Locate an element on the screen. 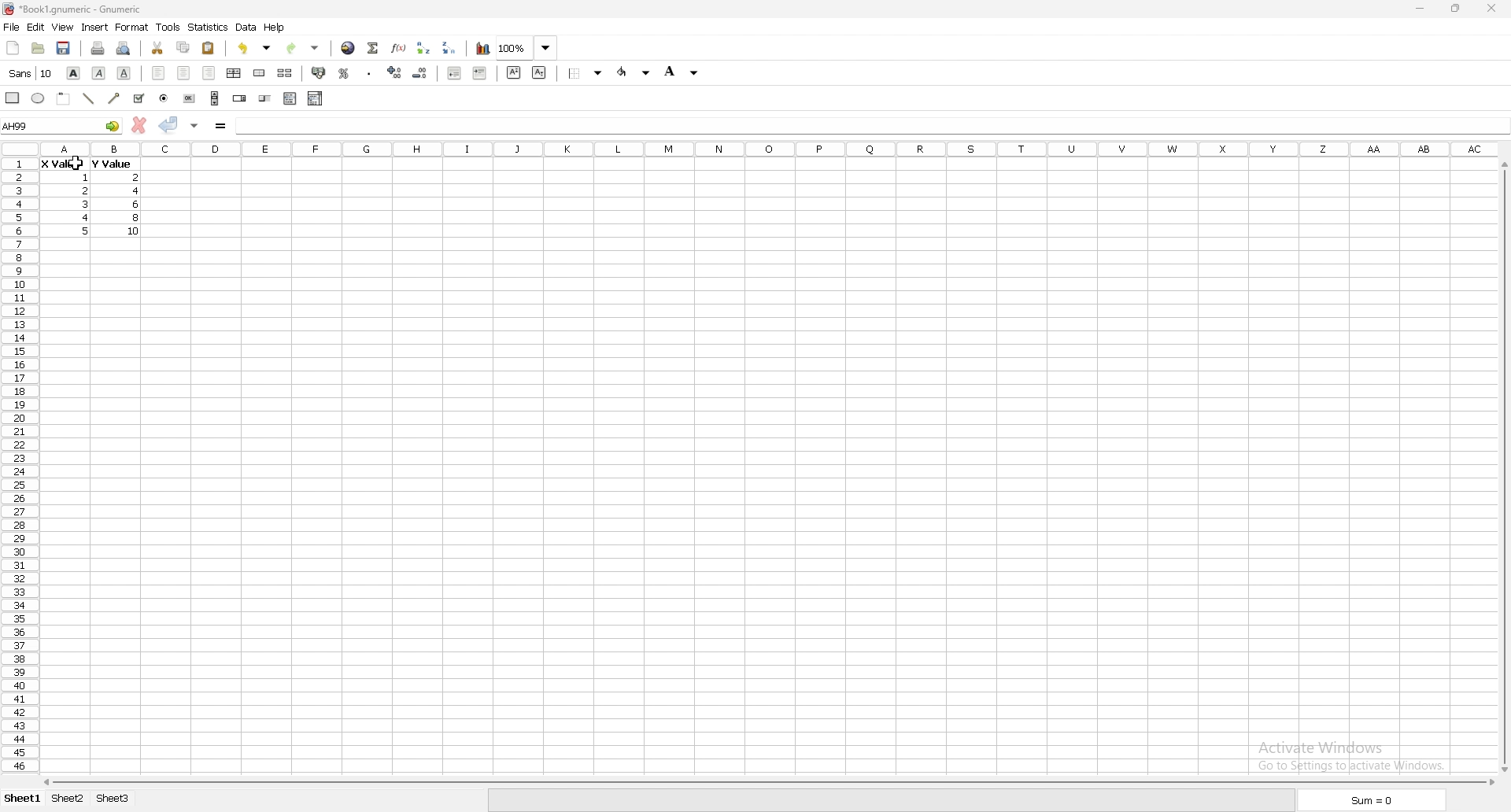 This screenshot has height=812, width=1511. left align is located at coordinates (158, 72).